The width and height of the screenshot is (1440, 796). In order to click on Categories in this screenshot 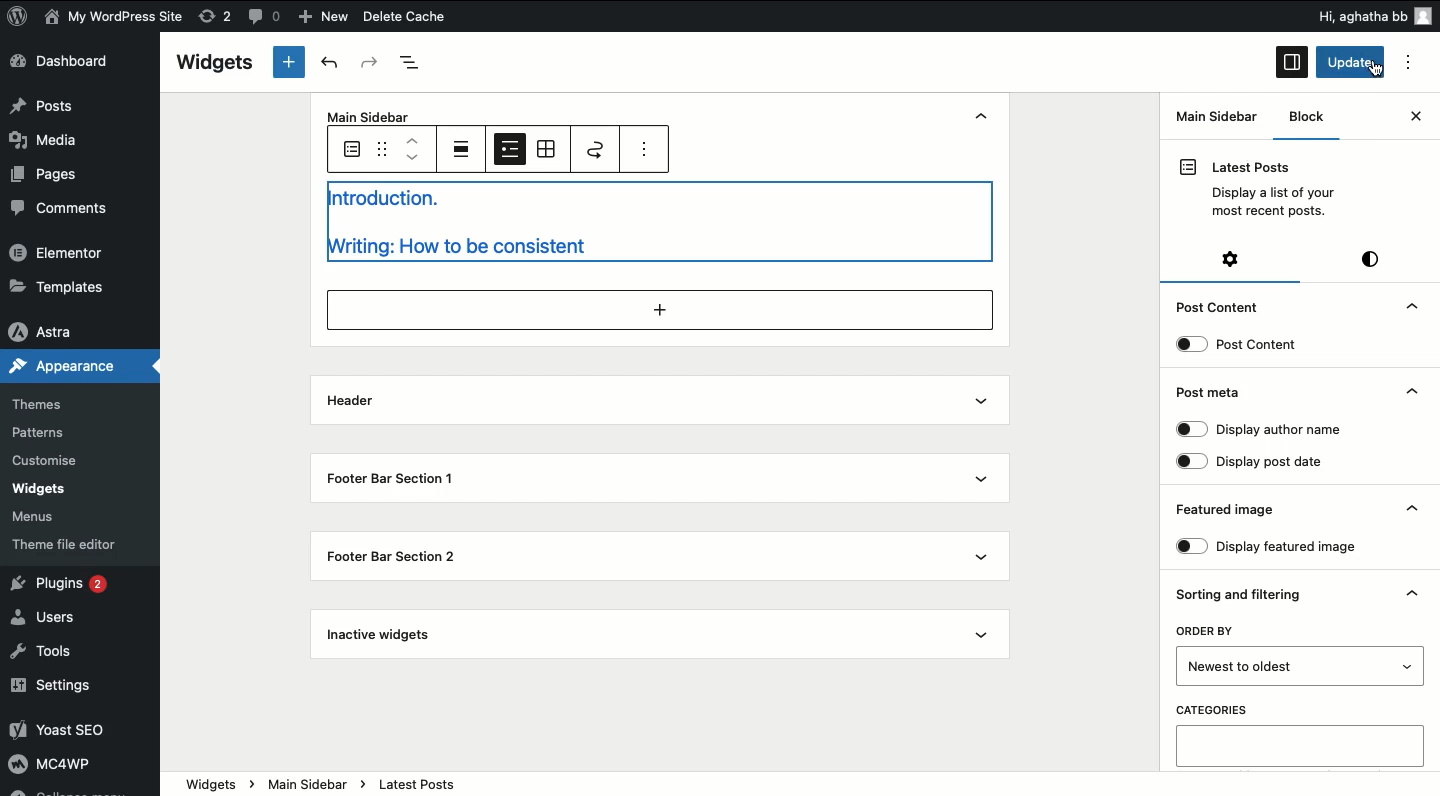, I will do `click(1298, 747)`.